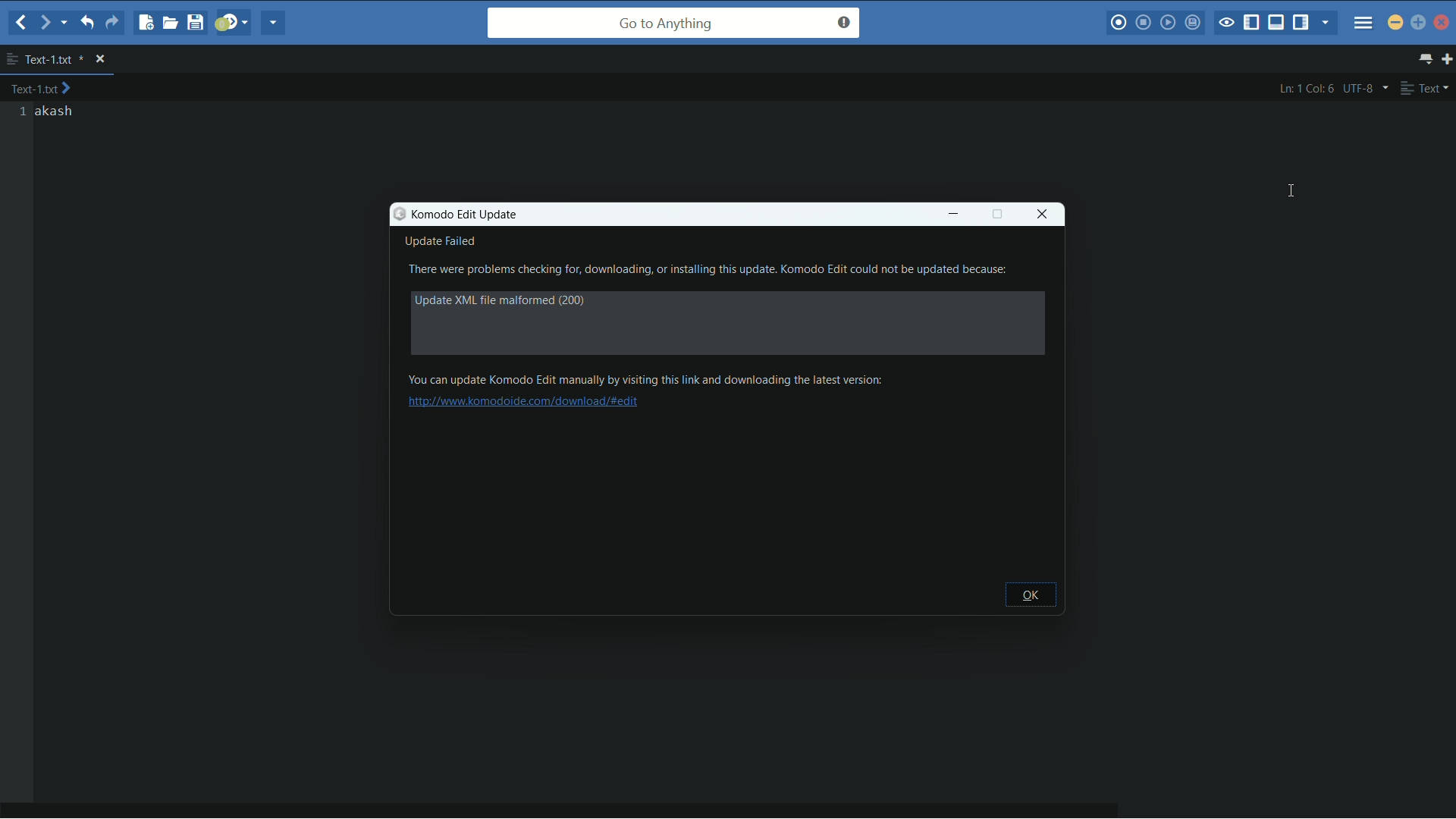  Describe the element at coordinates (1146, 22) in the screenshot. I see `stop macro` at that location.